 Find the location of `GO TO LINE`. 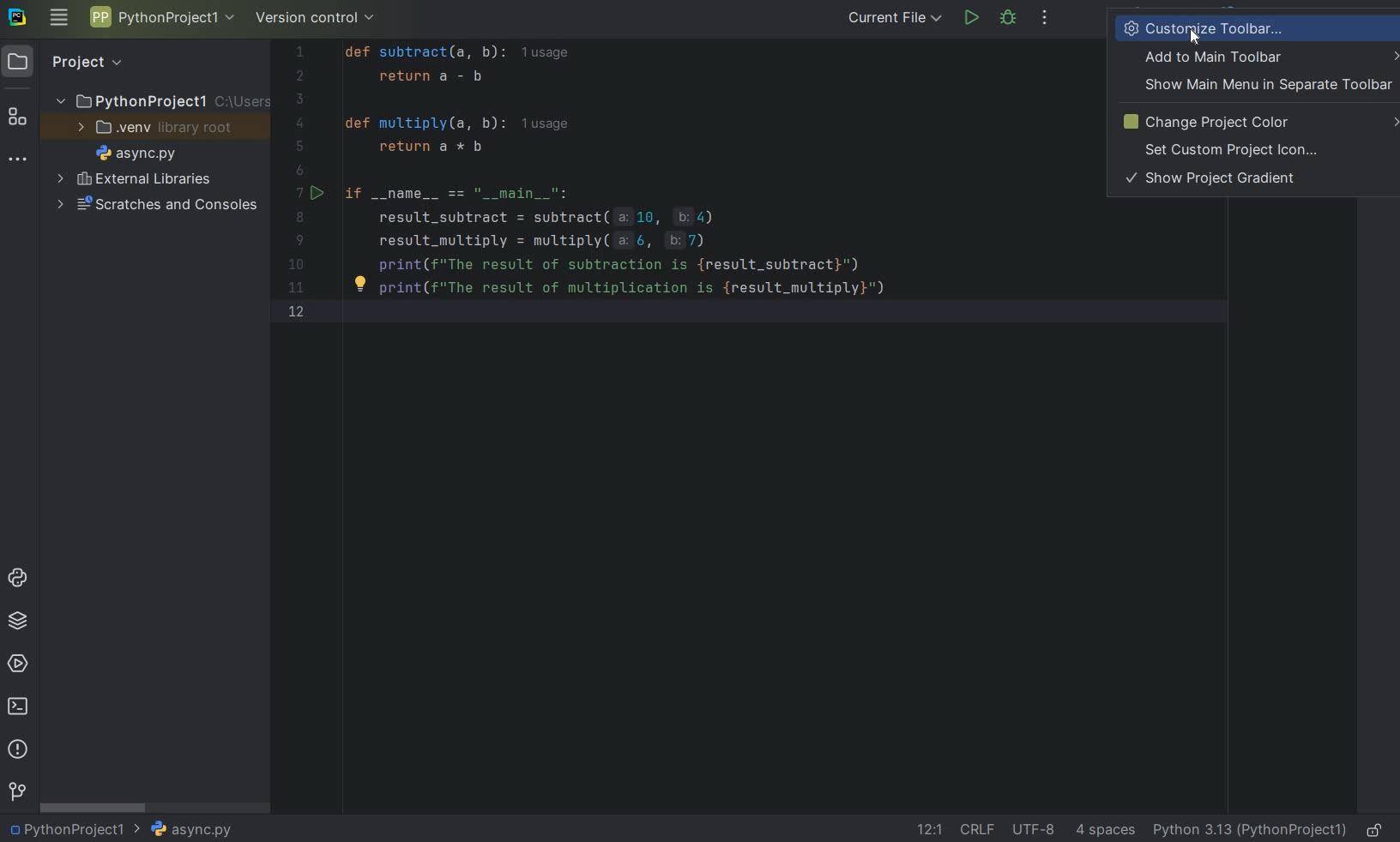

GO TO LINE is located at coordinates (927, 829).